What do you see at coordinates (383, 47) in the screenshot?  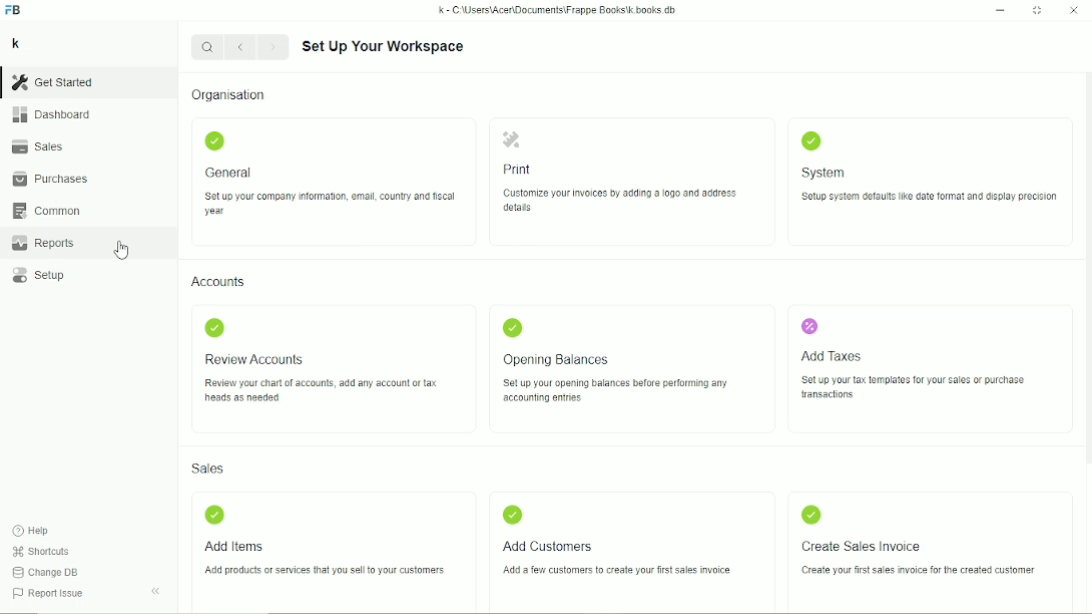 I see `set up your workspace` at bounding box center [383, 47].